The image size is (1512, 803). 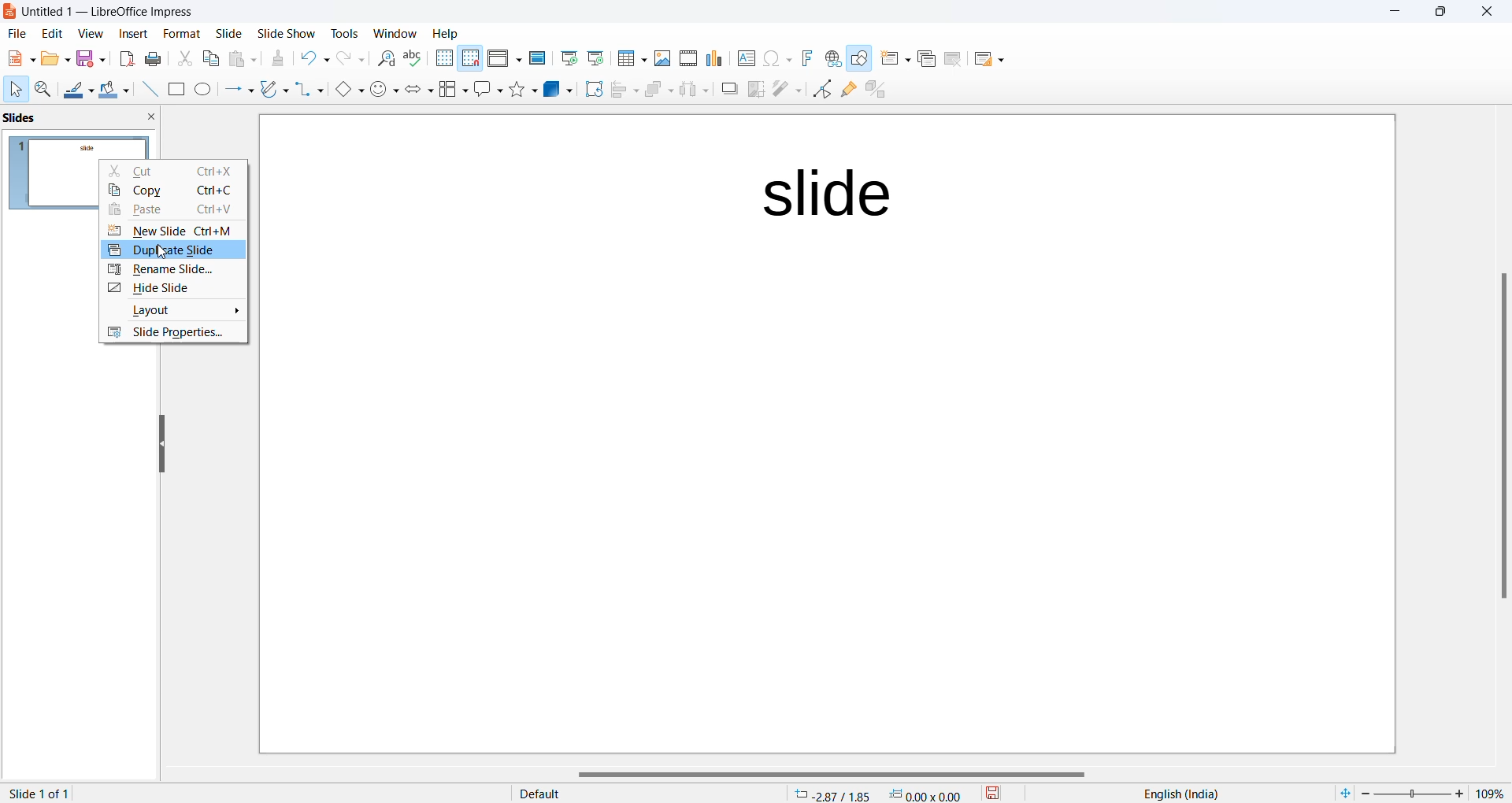 What do you see at coordinates (172, 311) in the screenshot?
I see `layout` at bounding box center [172, 311].